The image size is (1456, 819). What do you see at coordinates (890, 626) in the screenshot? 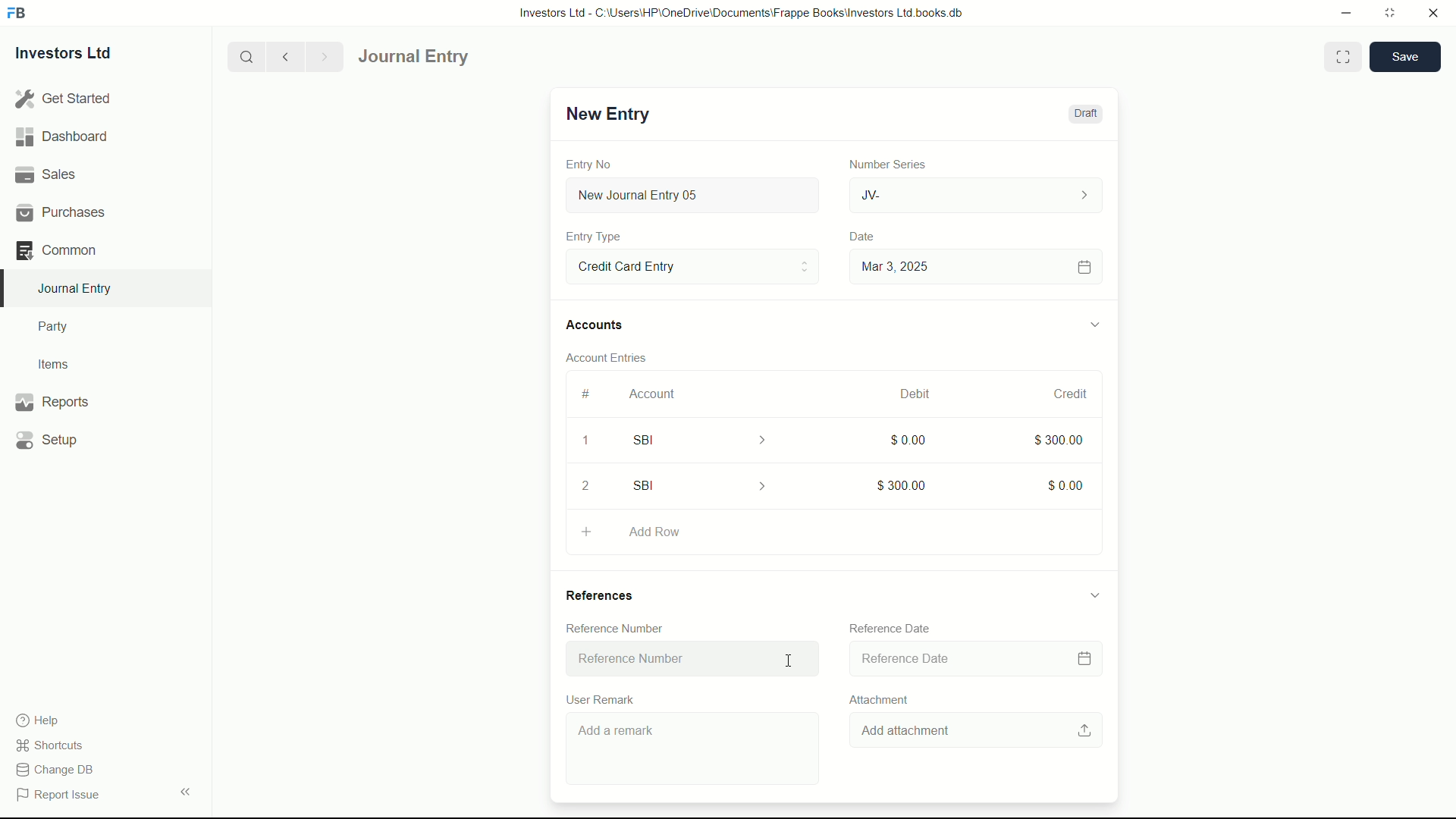
I see `Reference Date` at bounding box center [890, 626].